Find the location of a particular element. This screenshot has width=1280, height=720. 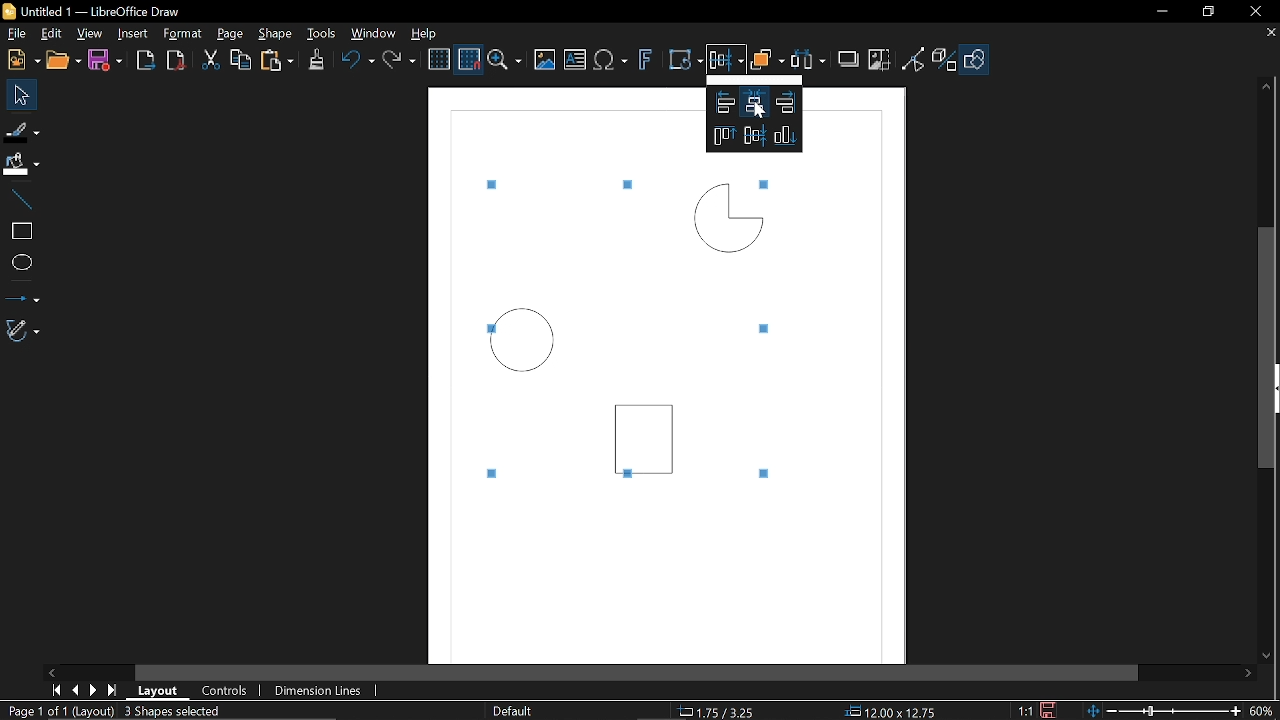

Align bottom is located at coordinates (786, 136).